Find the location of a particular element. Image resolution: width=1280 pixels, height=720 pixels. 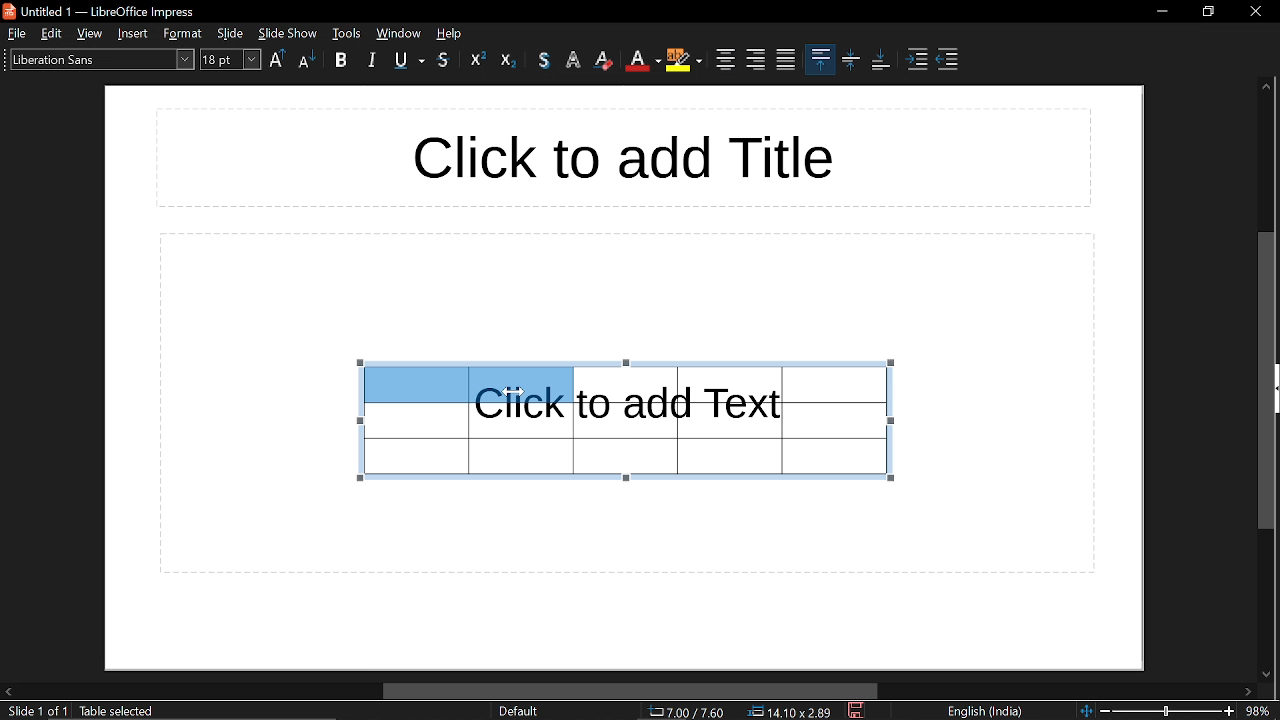

superscript is located at coordinates (478, 59).